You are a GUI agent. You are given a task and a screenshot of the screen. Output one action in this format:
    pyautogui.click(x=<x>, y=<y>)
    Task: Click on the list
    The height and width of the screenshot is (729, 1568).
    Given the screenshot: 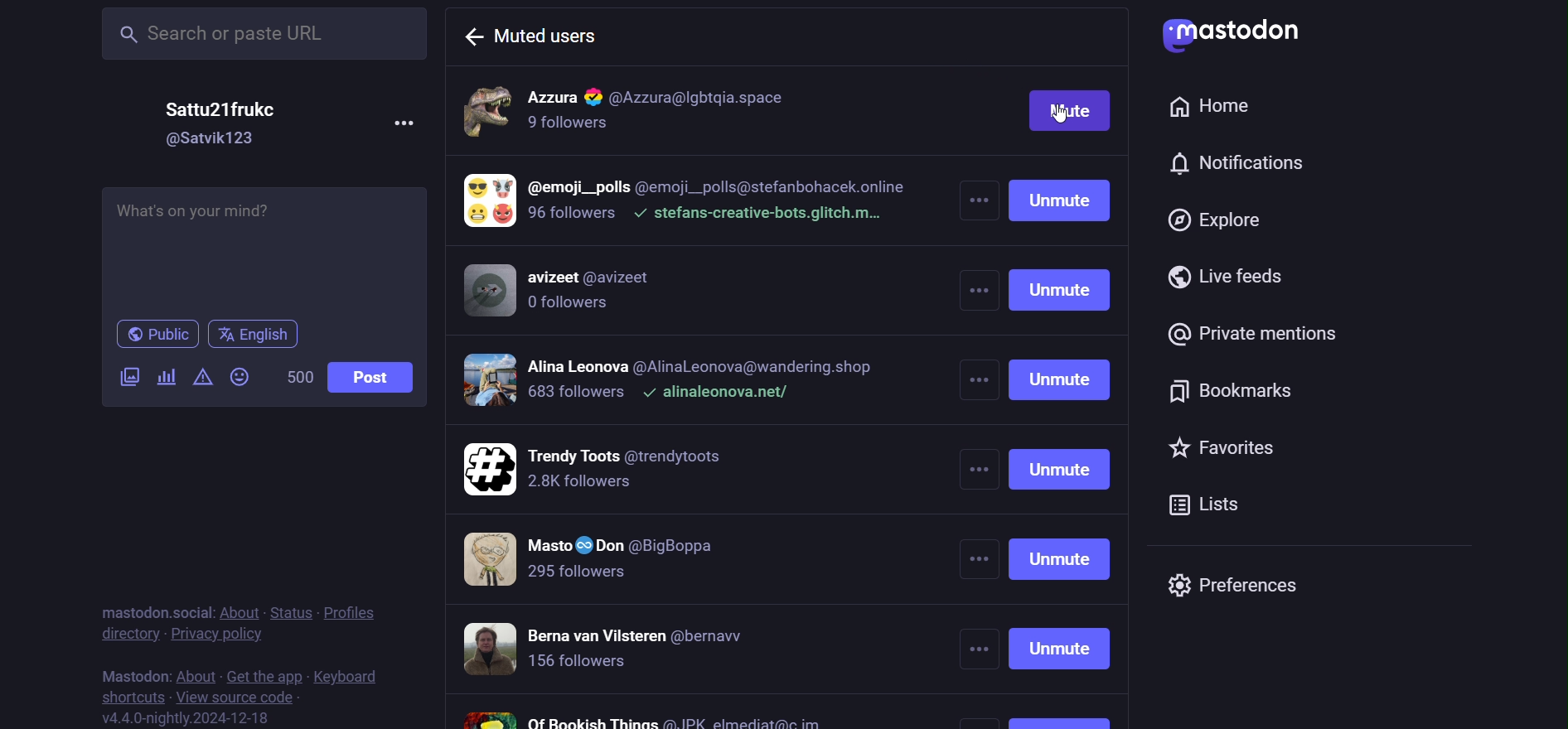 What is the action you would take?
    pyautogui.click(x=1225, y=503)
    